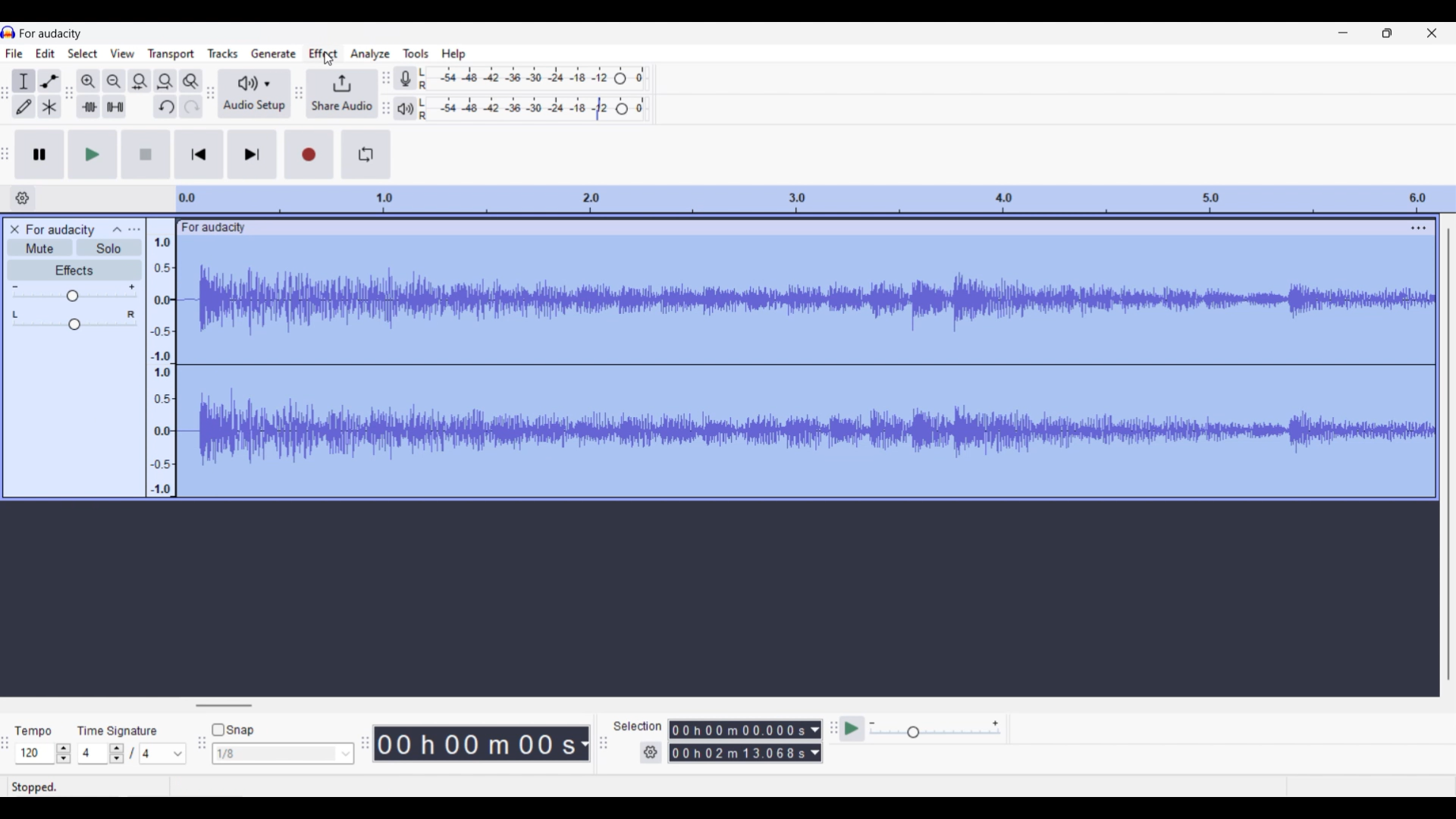  Describe the element at coordinates (40, 155) in the screenshot. I see `Pause` at that location.